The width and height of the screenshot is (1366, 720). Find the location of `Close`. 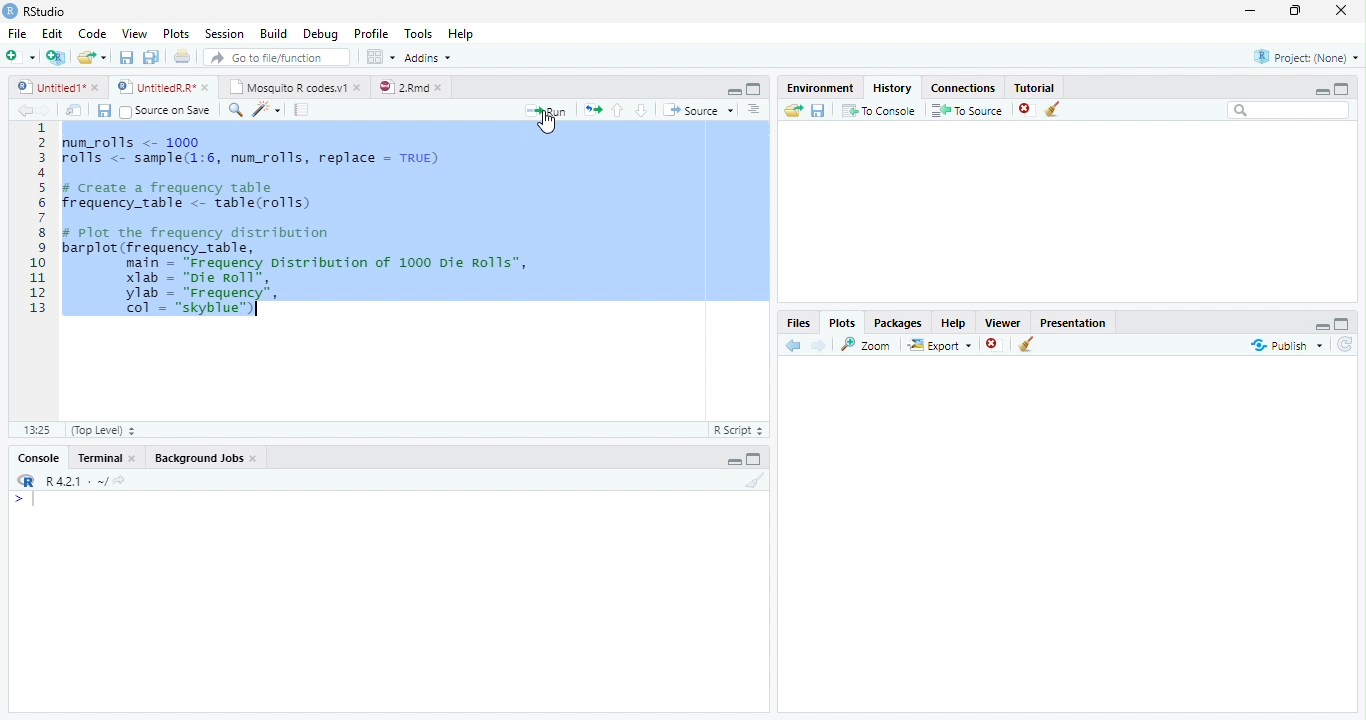

Close is located at coordinates (1343, 11).